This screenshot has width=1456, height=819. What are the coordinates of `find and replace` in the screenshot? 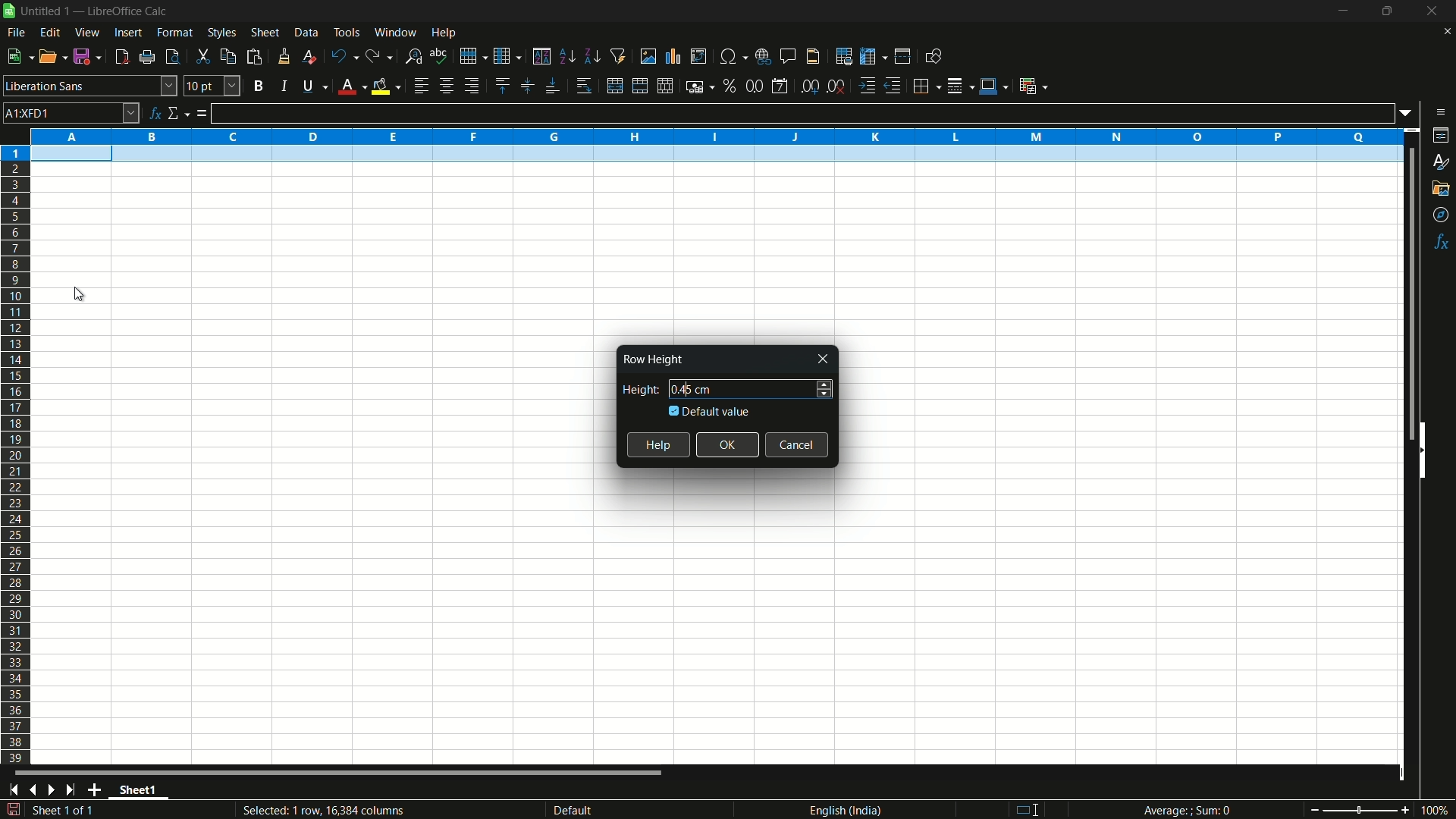 It's located at (414, 55).